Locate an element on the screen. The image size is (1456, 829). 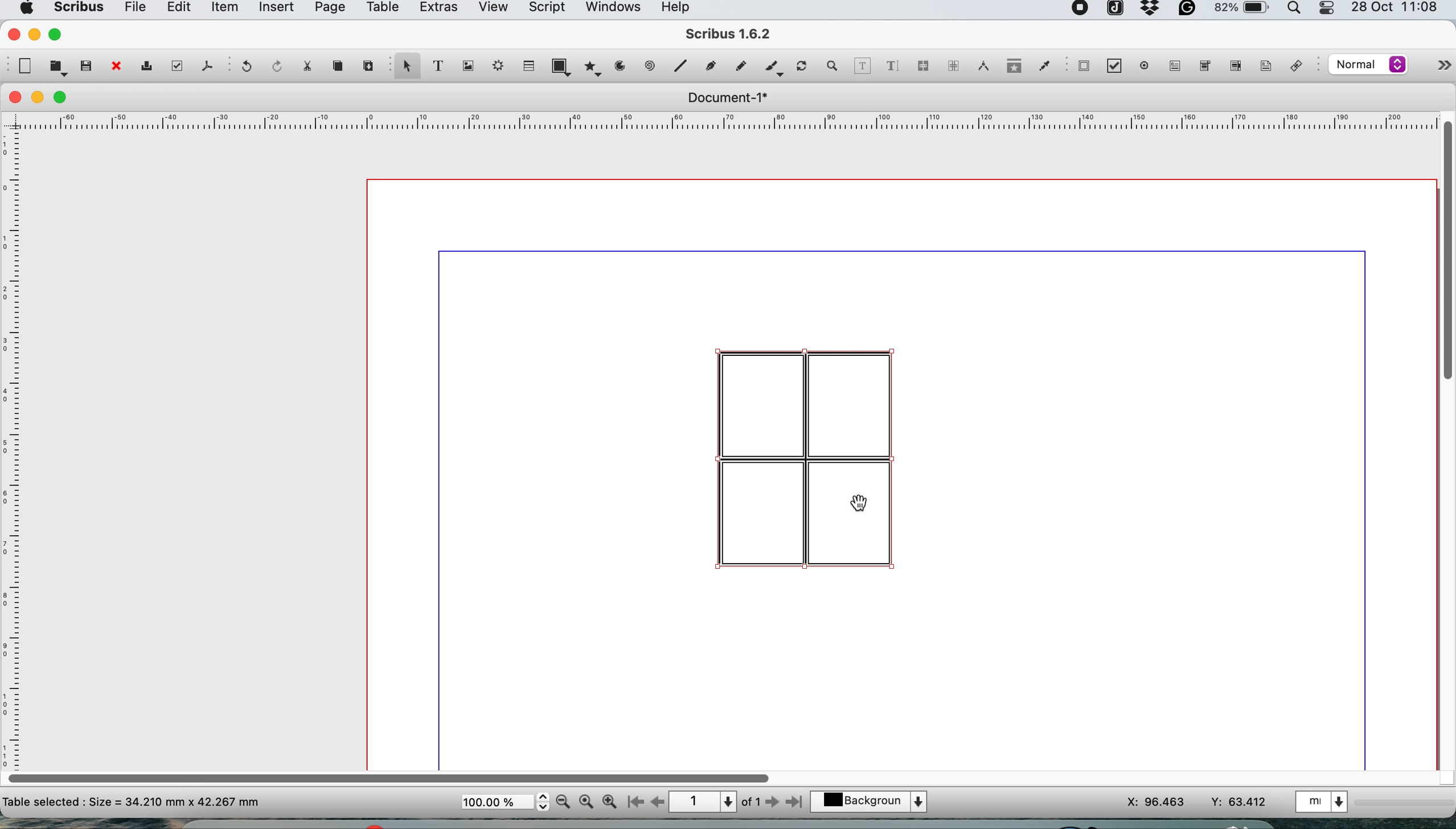
text annotation is located at coordinates (1264, 65).